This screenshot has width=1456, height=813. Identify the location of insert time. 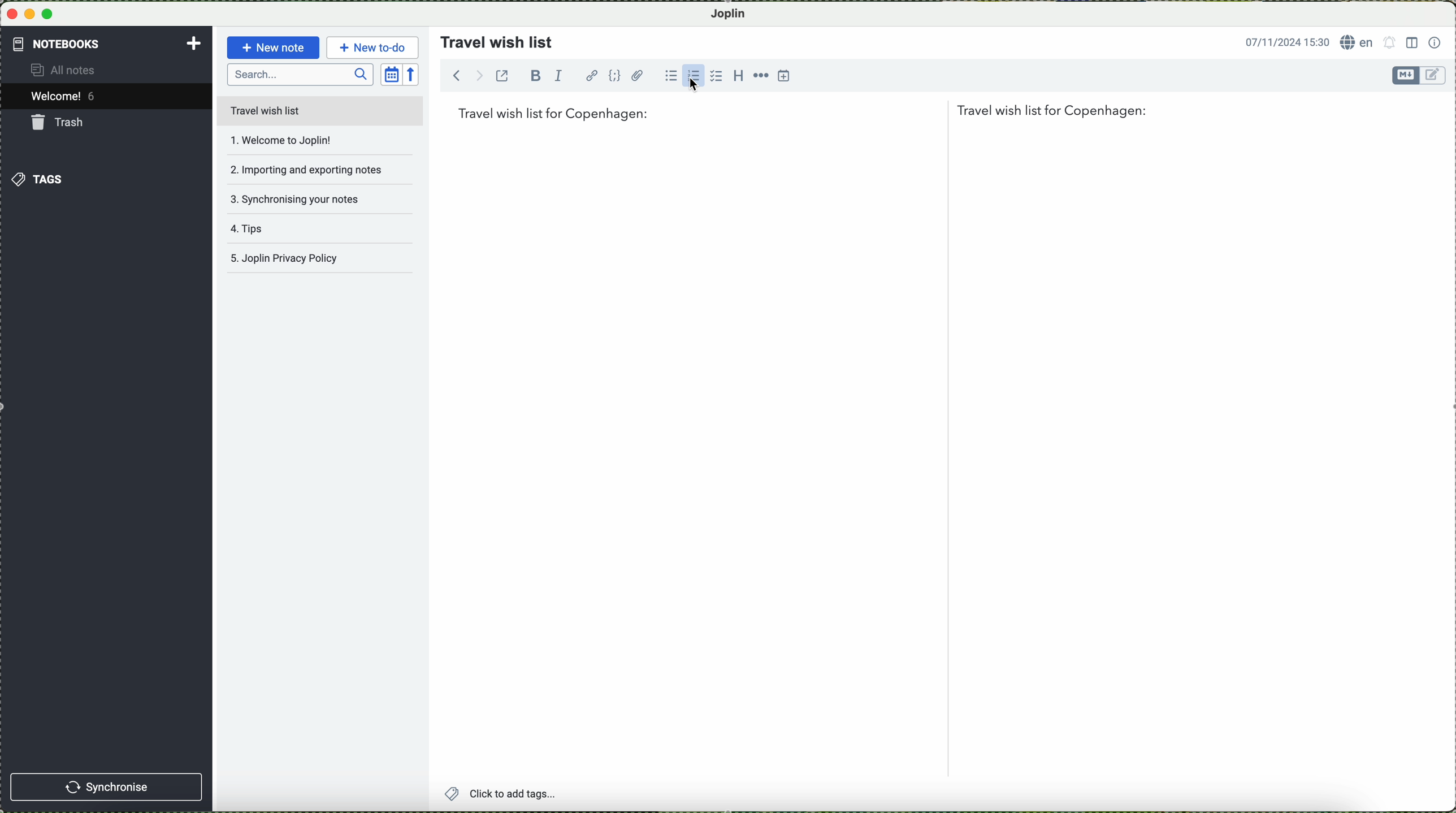
(785, 77).